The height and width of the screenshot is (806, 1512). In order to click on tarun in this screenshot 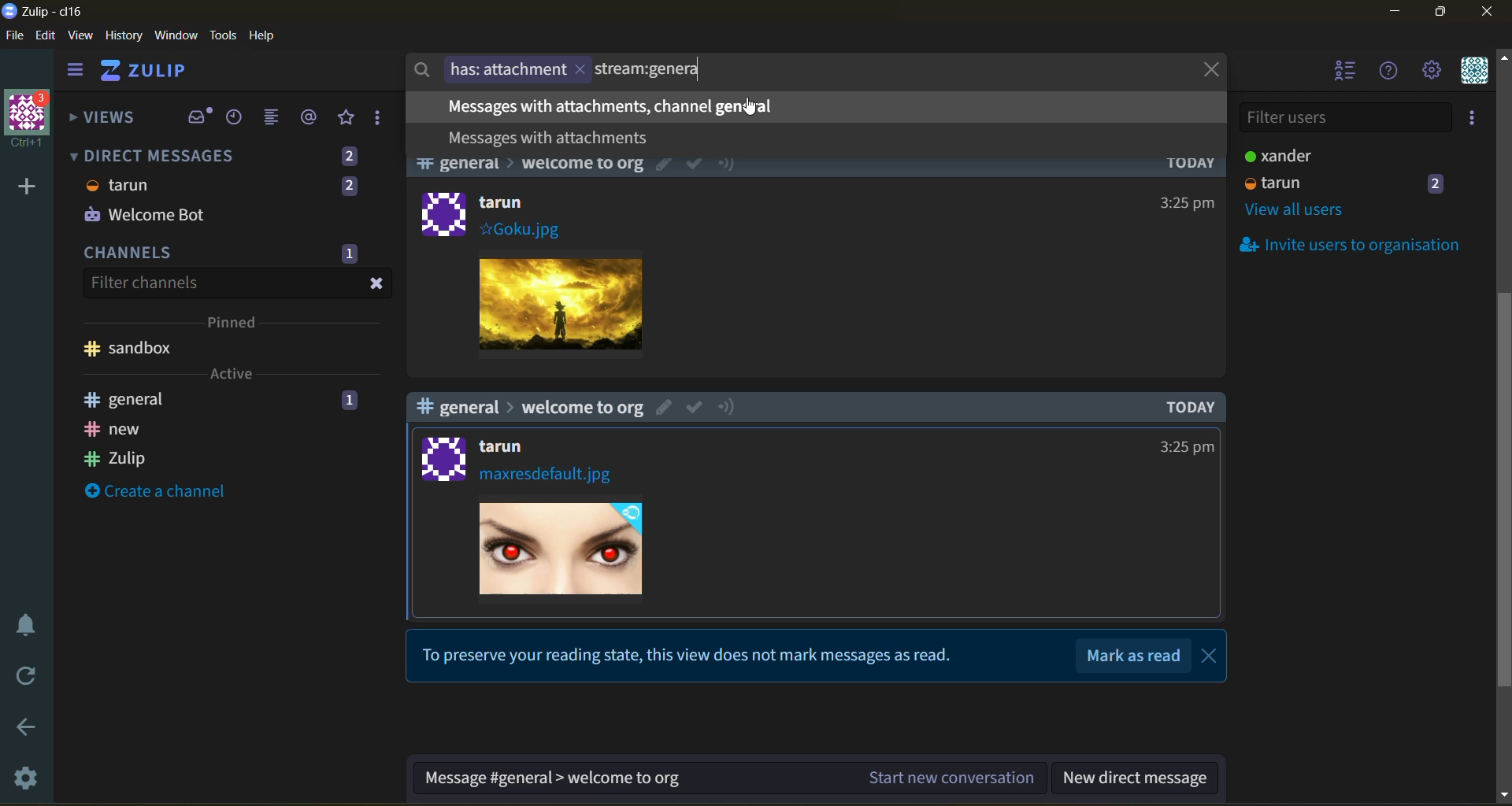, I will do `click(1274, 183)`.